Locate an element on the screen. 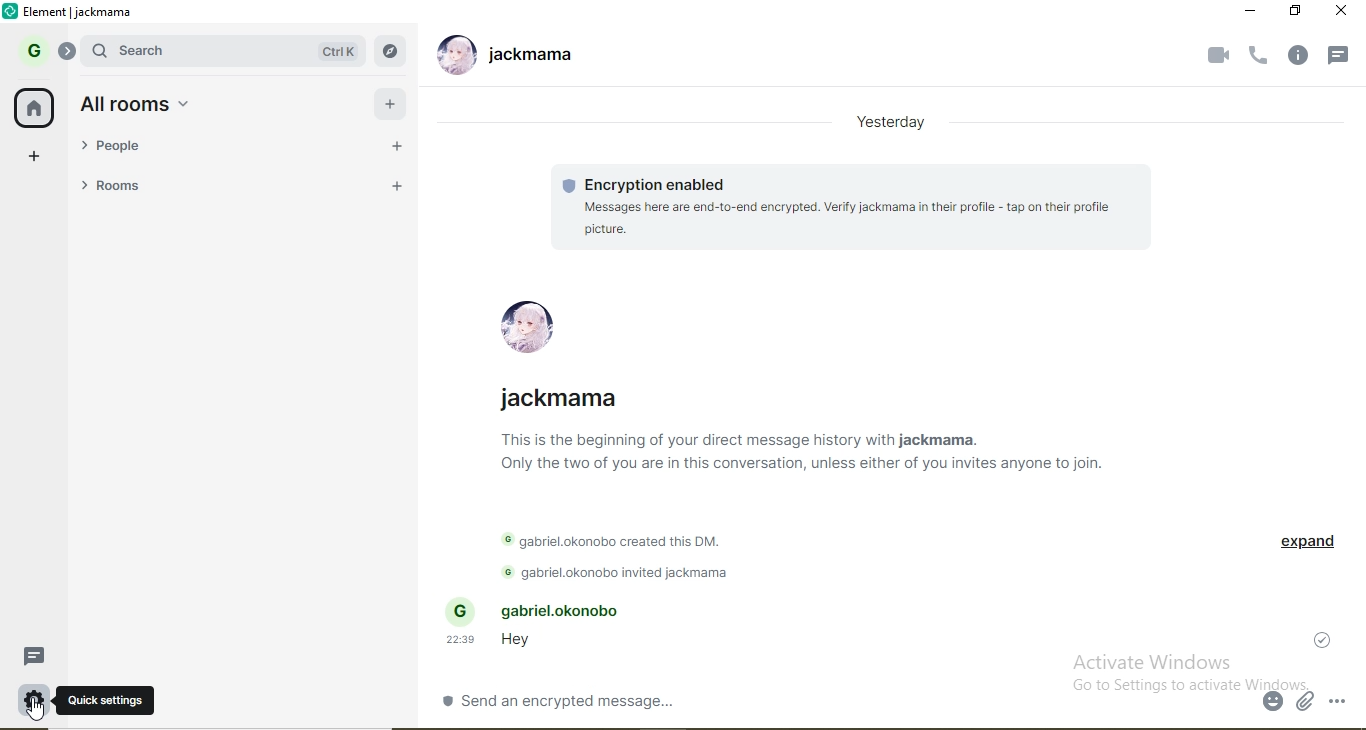 The image size is (1366, 730). rooms is located at coordinates (130, 188).